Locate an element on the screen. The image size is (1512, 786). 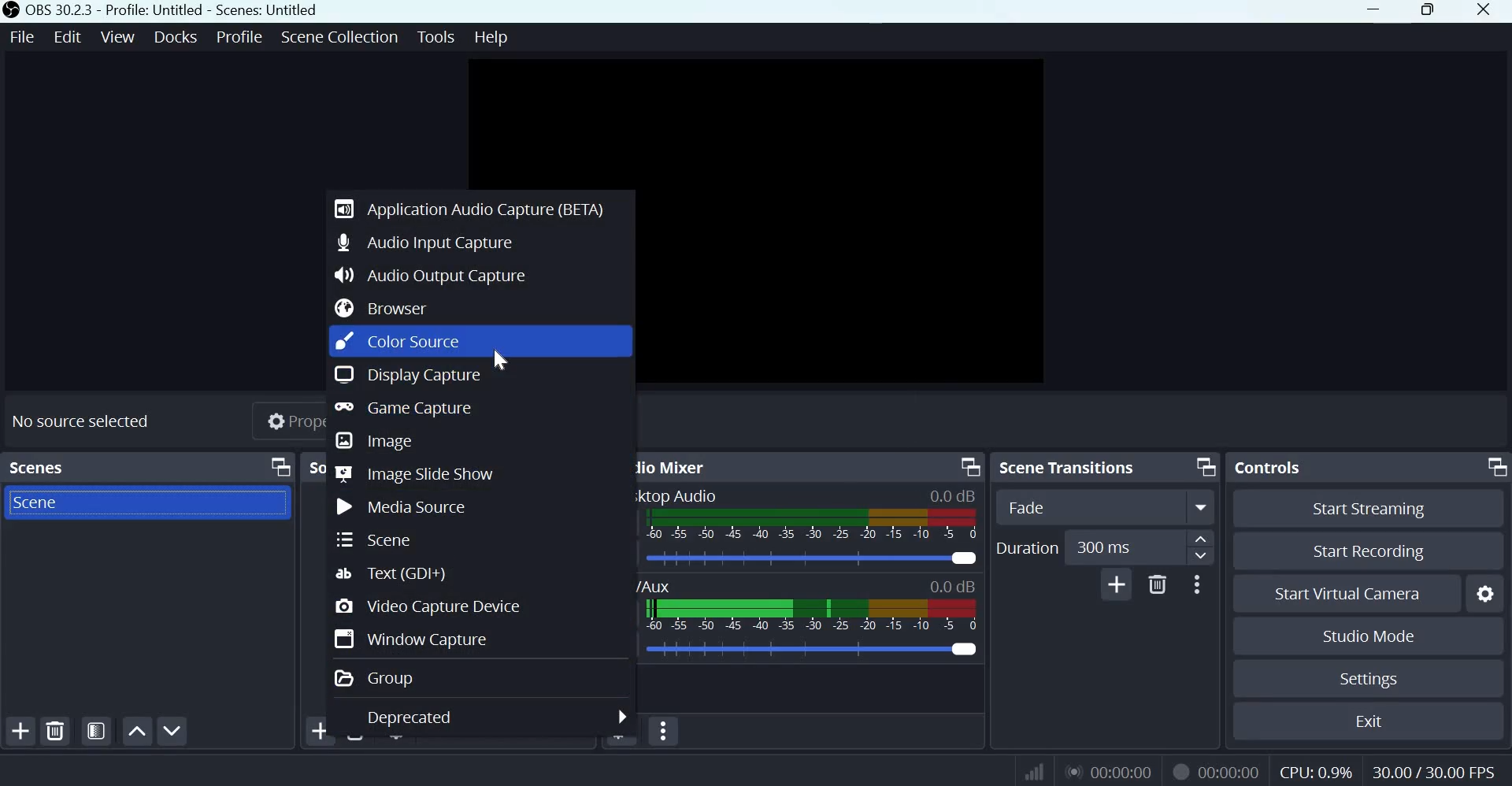
Controls is located at coordinates (1272, 465).